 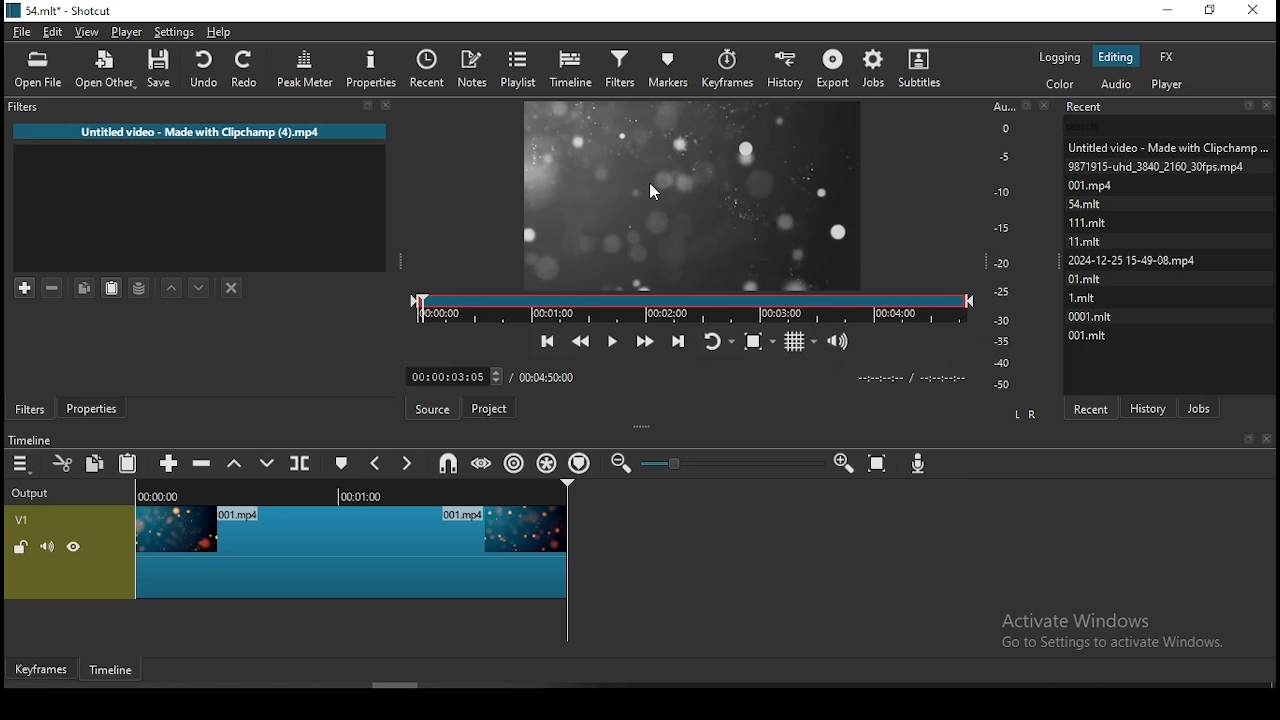 I want to click on remove selected filters, so click(x=51, y=284).